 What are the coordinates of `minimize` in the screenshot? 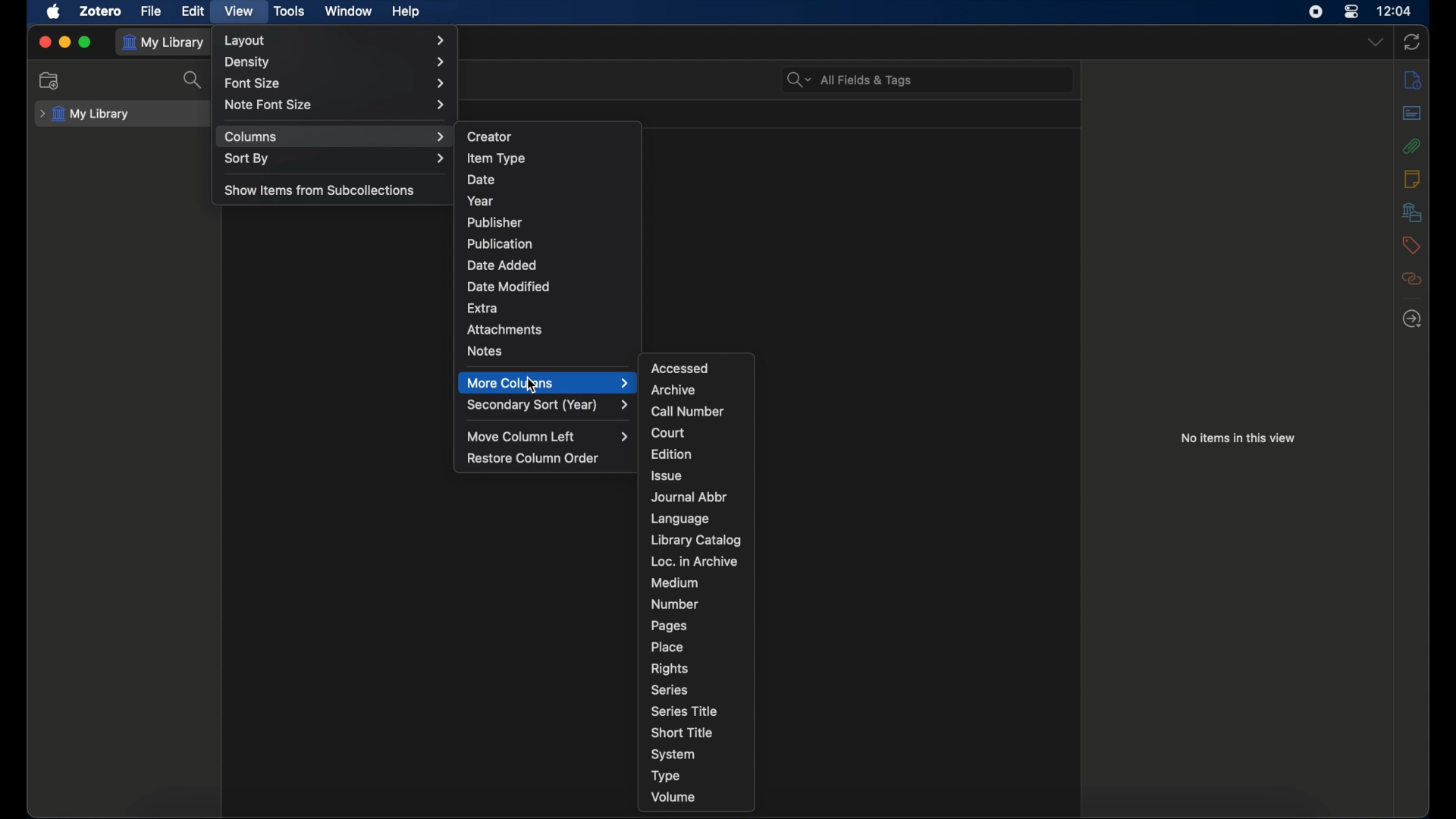 It's located at (64, 42).